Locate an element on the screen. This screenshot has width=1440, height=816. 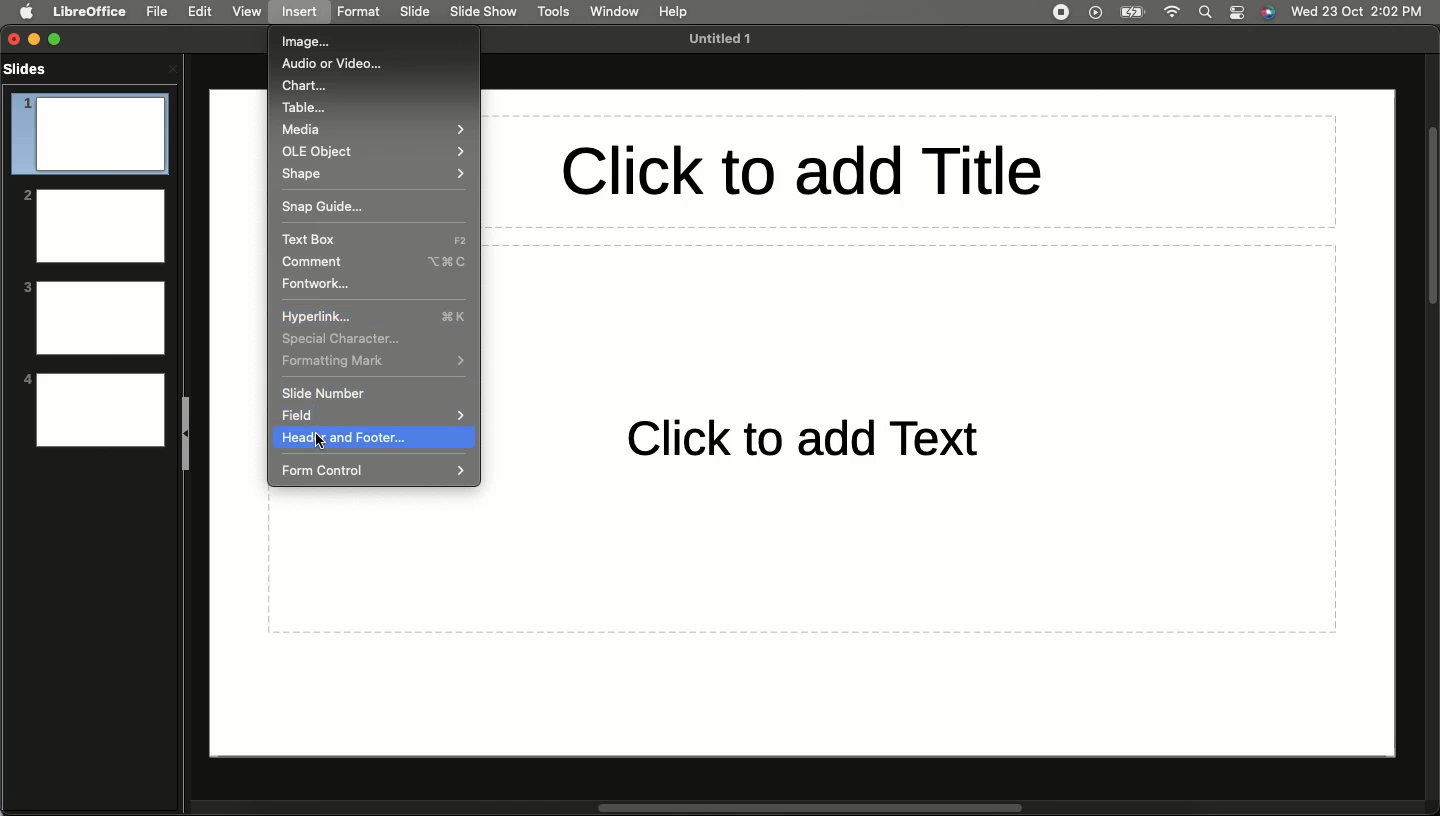
Charge is located at coordinates (1132, 12).